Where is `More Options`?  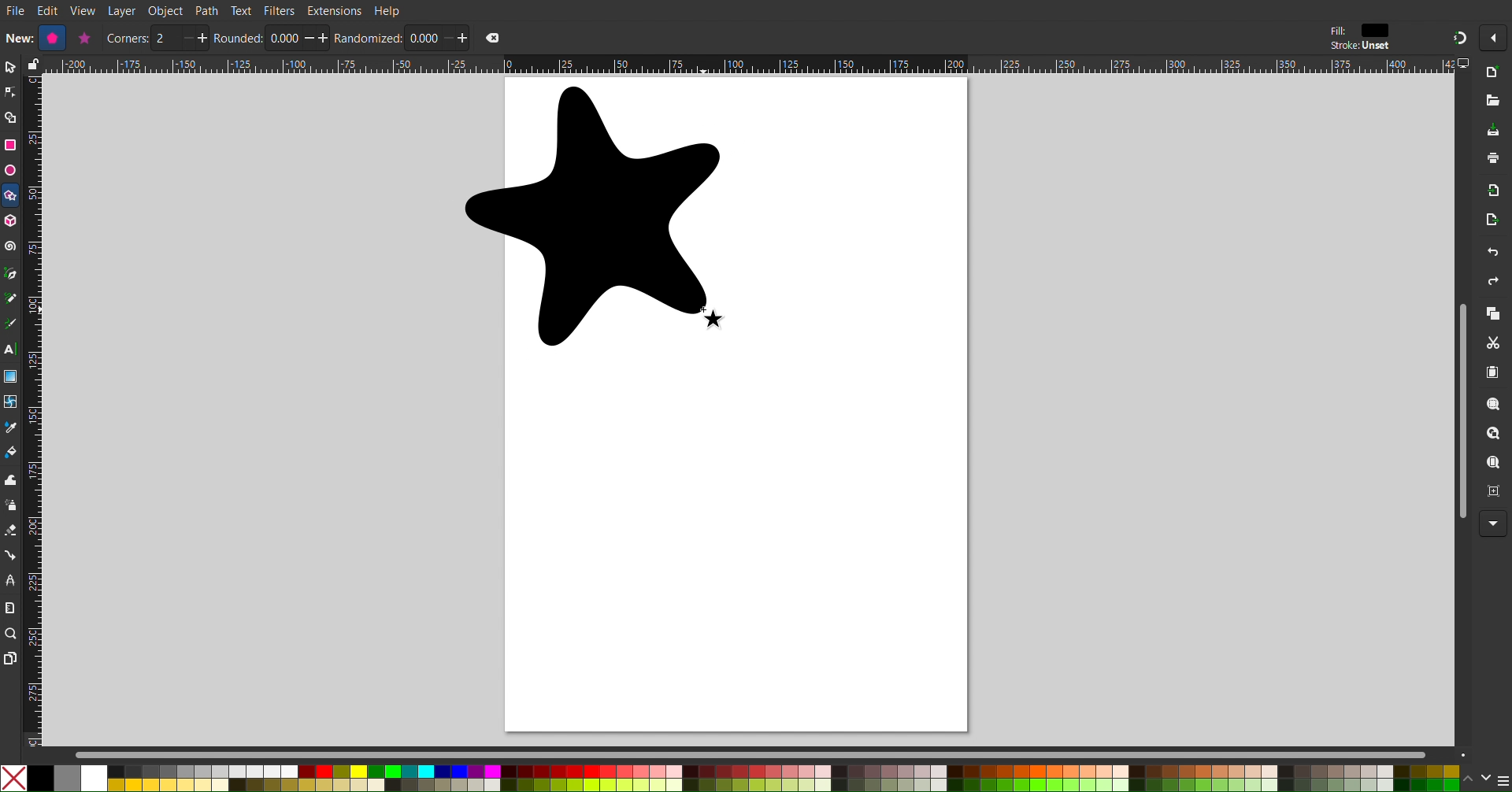
More Options is located at coordinates (1494, 524).